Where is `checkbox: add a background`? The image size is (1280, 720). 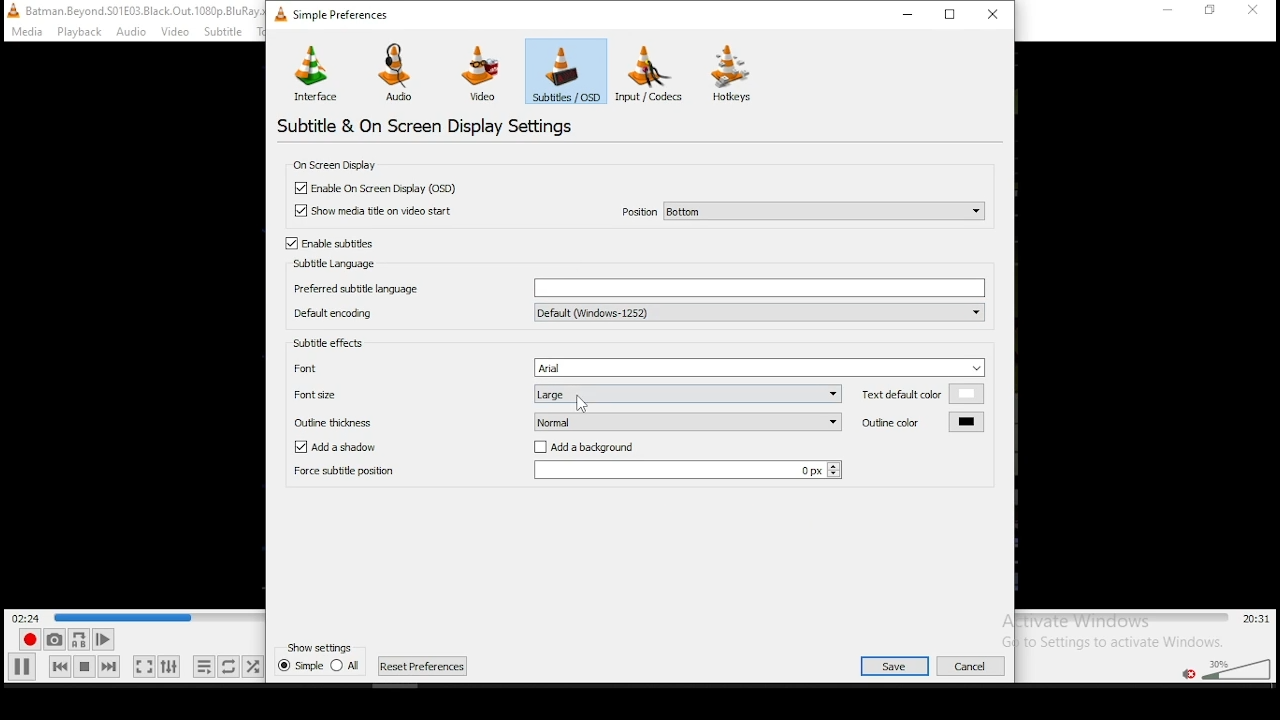
checkbox: add a background is located at coordinates (584, 448).